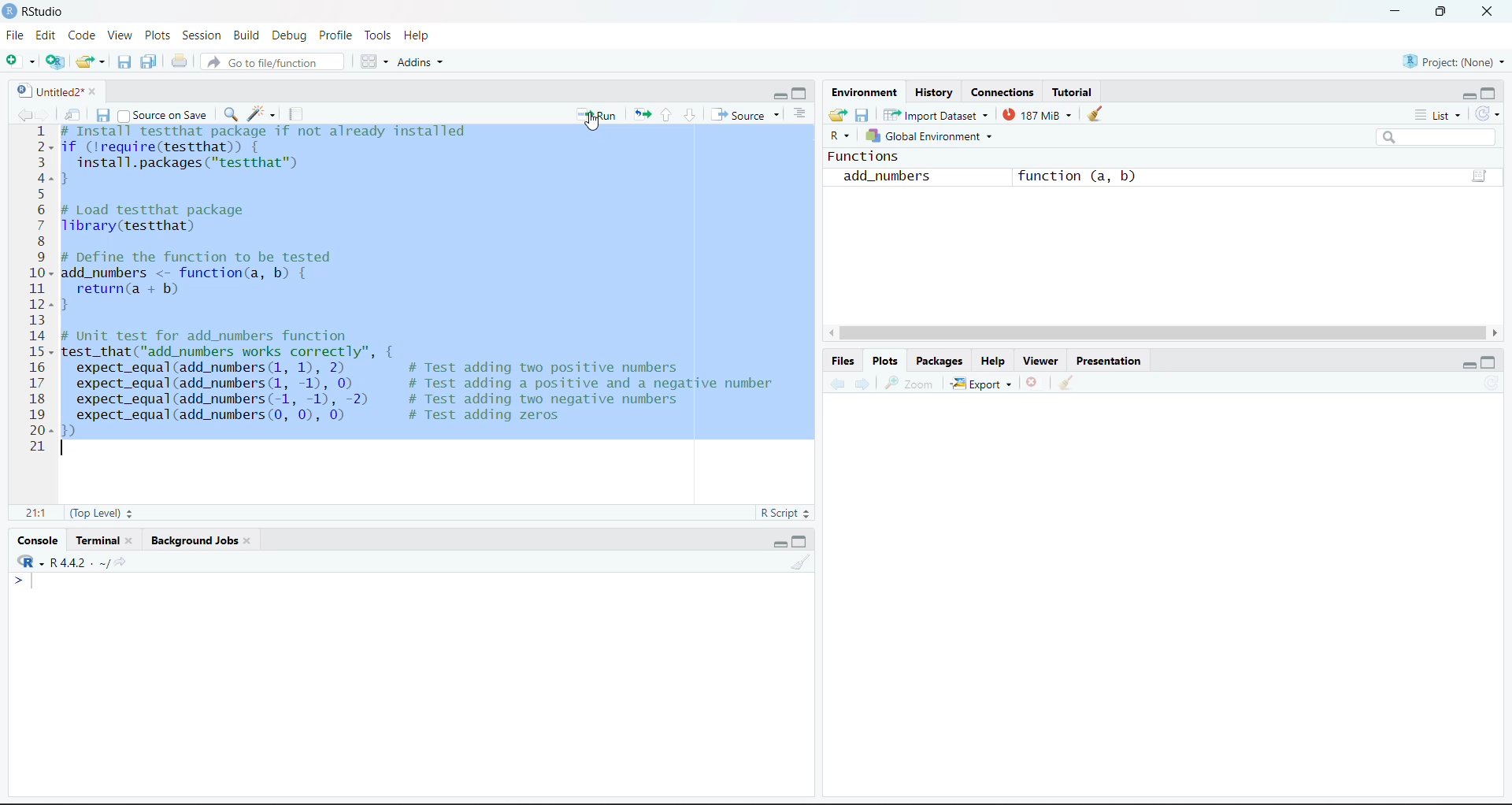 The image size is (1512, 805). What do you see at coordinates (1110, 361) in the screenshot?
I see `Presentation` at bounding box center [1110, 361].